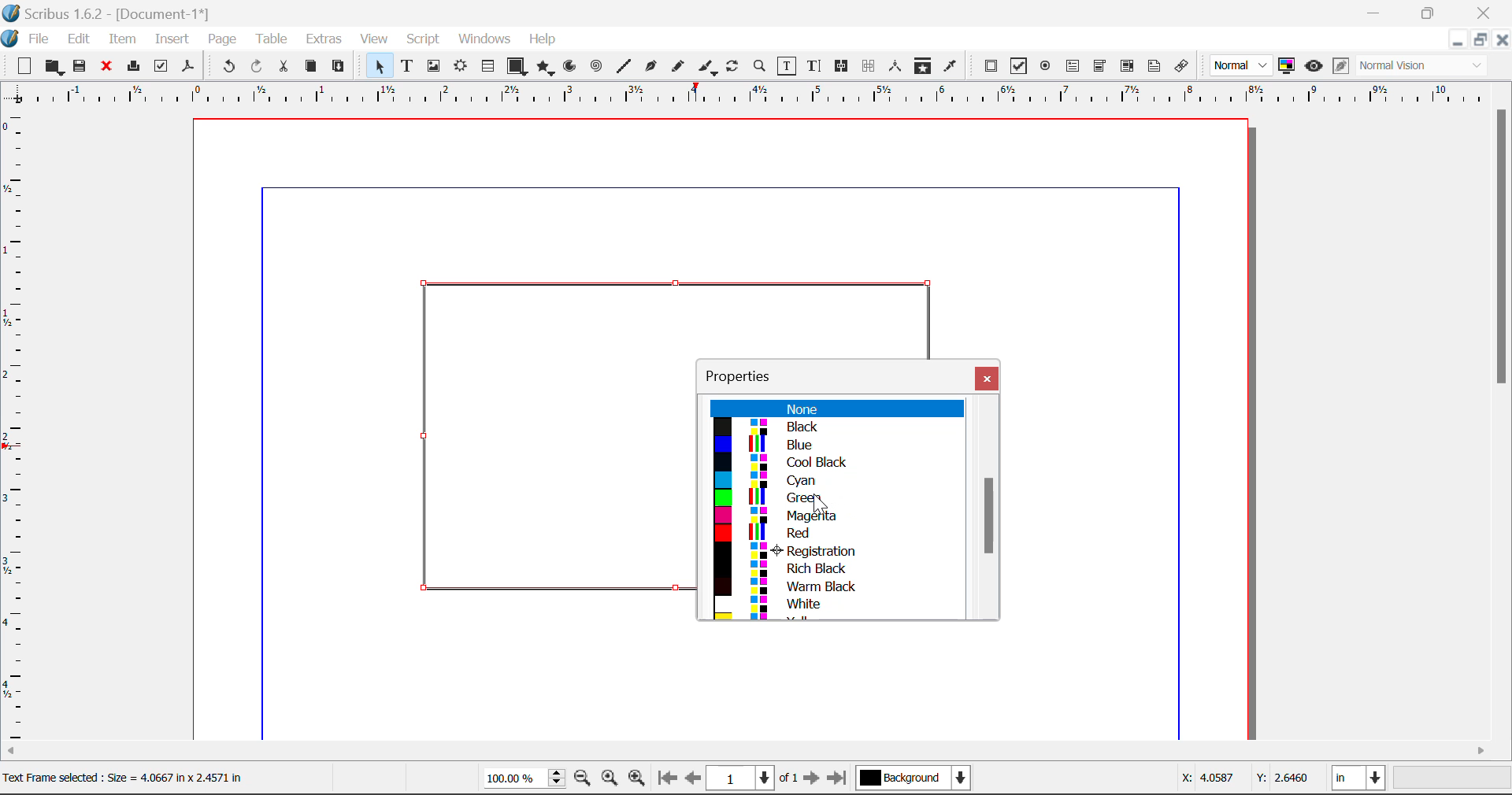 Image resolution: width=1512 pixels, height=795 pixels. I want to click on Red, so click(835, 533).